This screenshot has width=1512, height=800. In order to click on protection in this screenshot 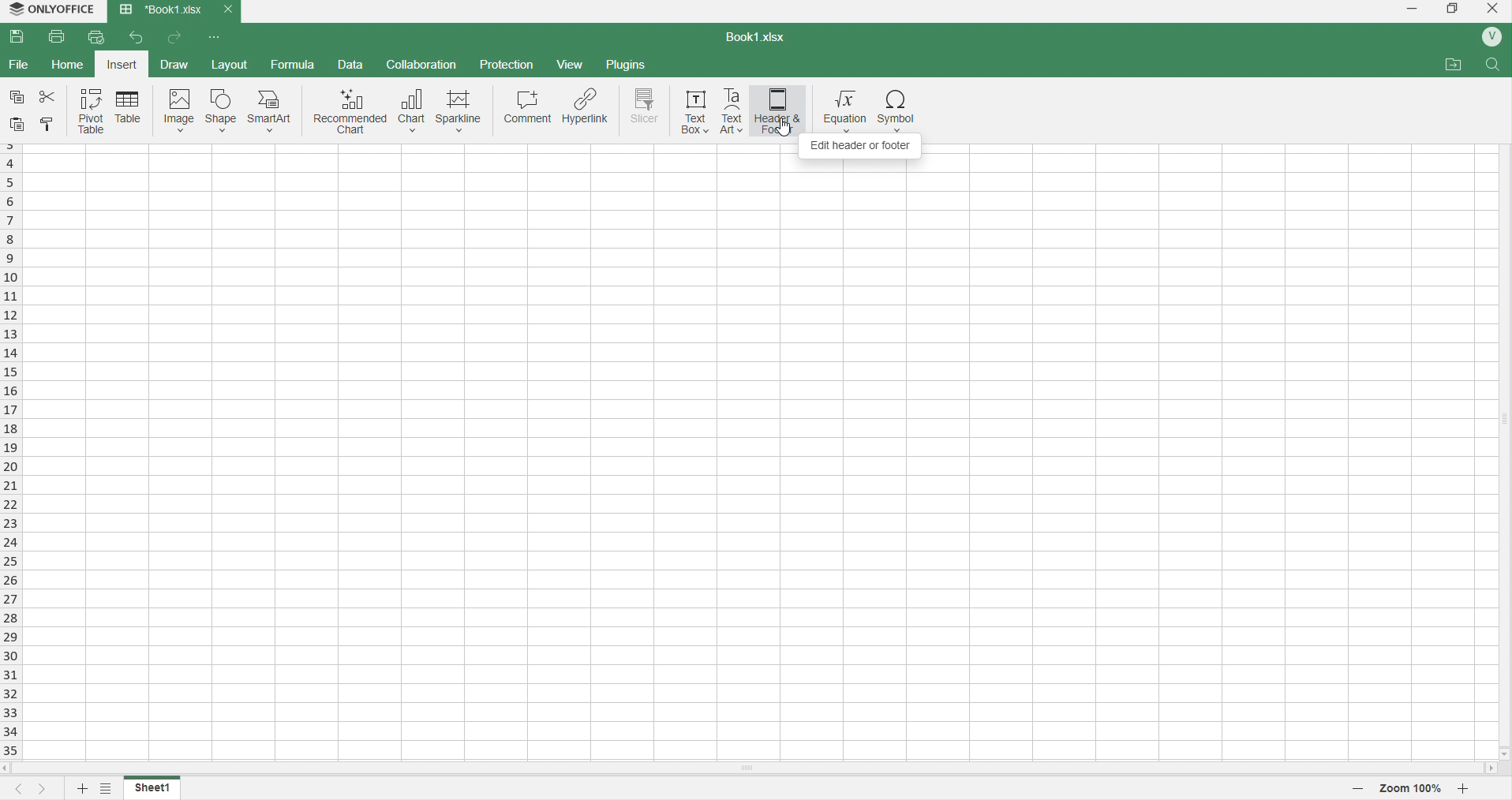, I will do `click(503, 64)`.